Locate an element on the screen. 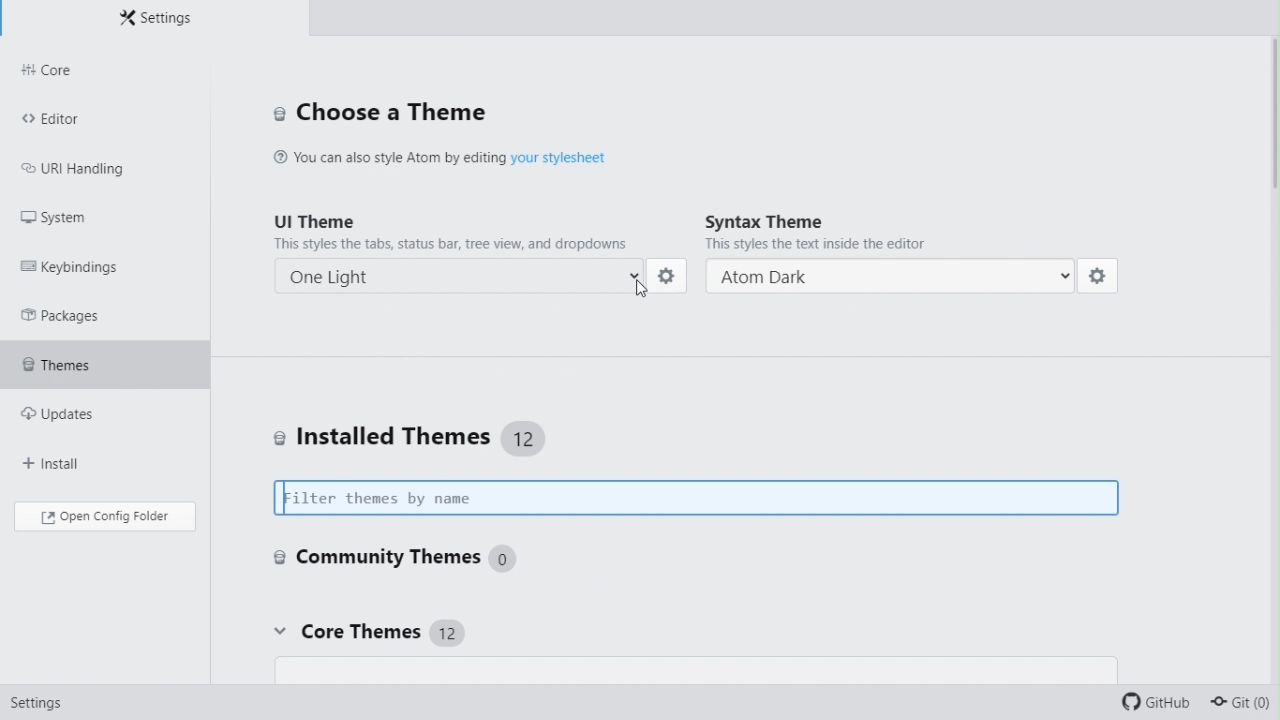  git is located at coordinates (1242, 704).